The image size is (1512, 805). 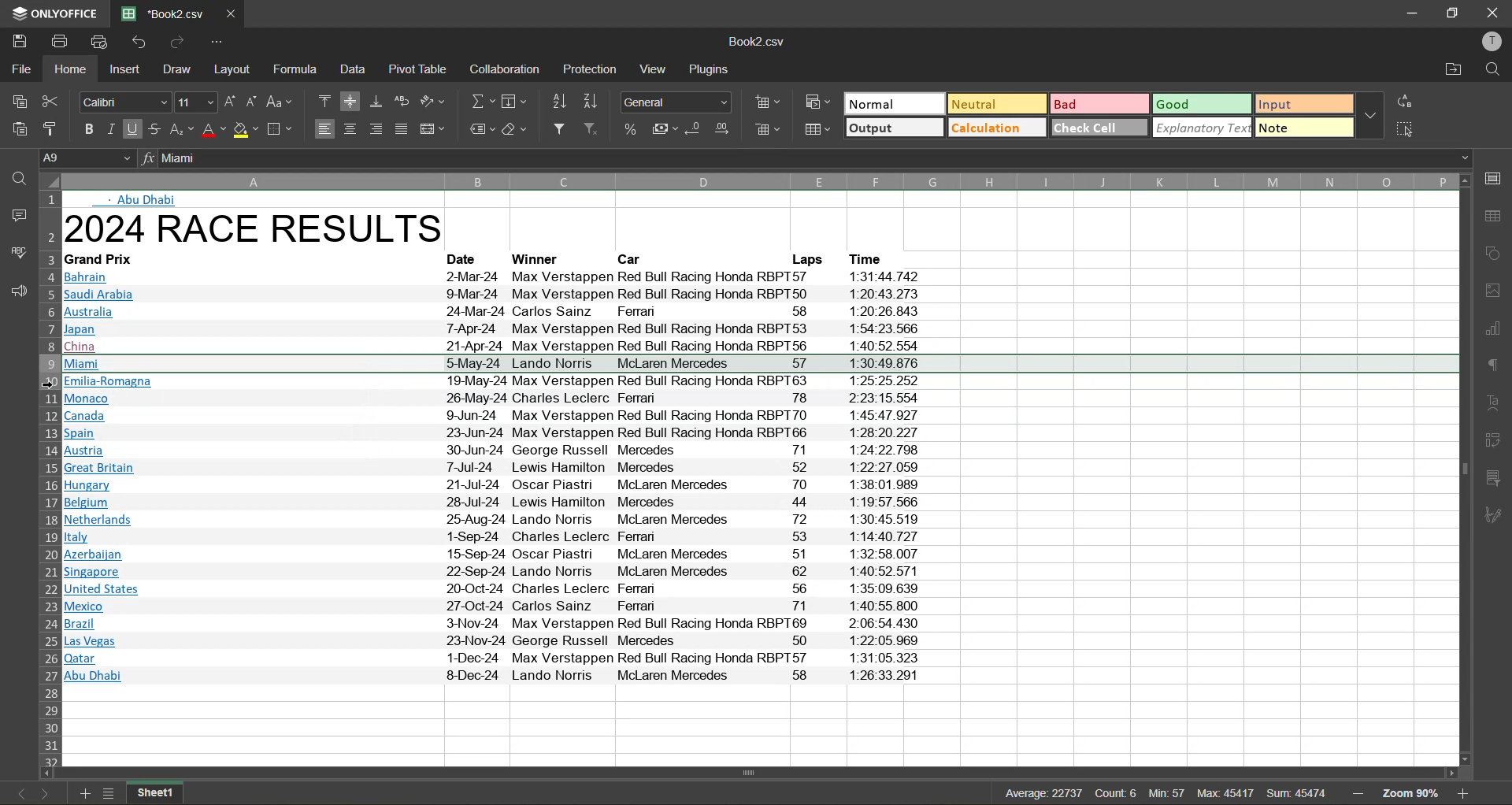 I want to click on input formula, so click(x=146, y=159).